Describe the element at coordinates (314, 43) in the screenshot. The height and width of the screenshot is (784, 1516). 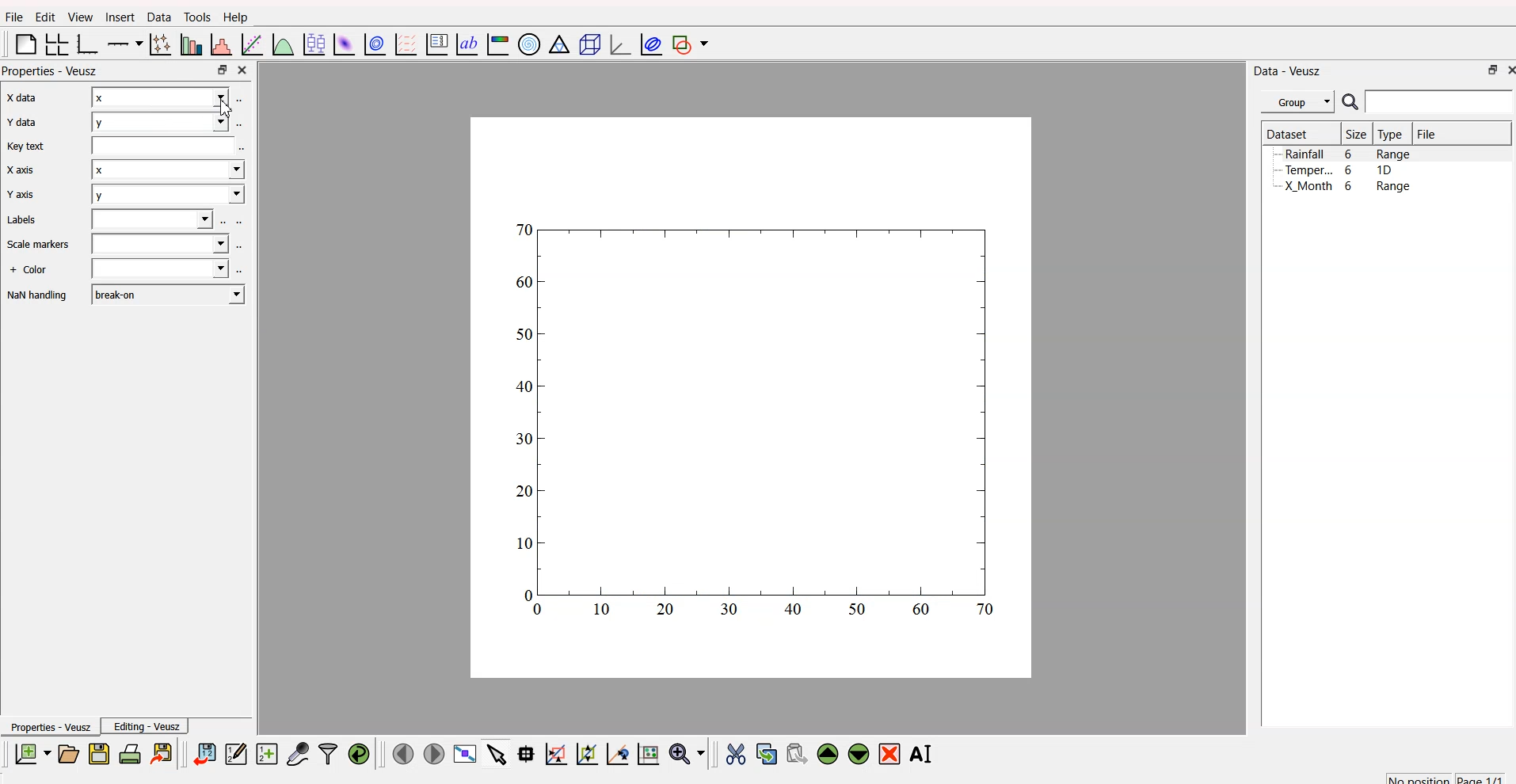
I see `plot box plots` at that location.